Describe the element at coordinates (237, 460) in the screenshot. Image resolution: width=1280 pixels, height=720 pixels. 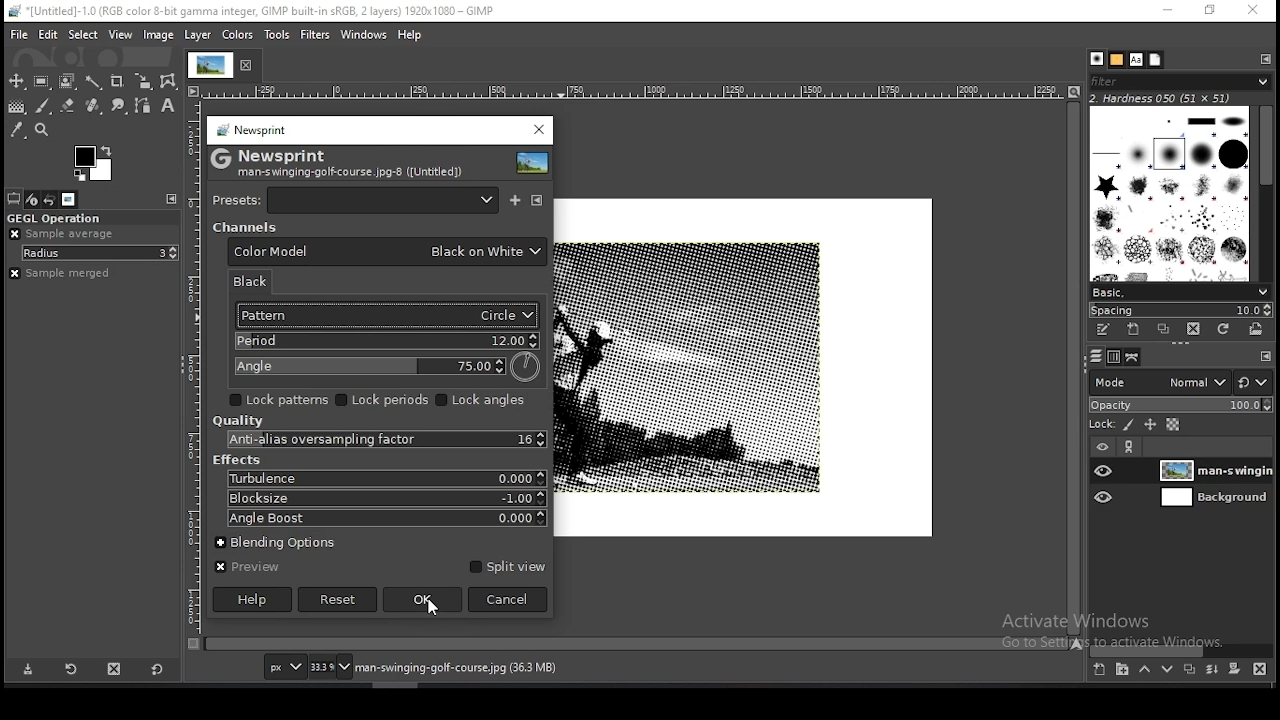
I see `effects` at that location.